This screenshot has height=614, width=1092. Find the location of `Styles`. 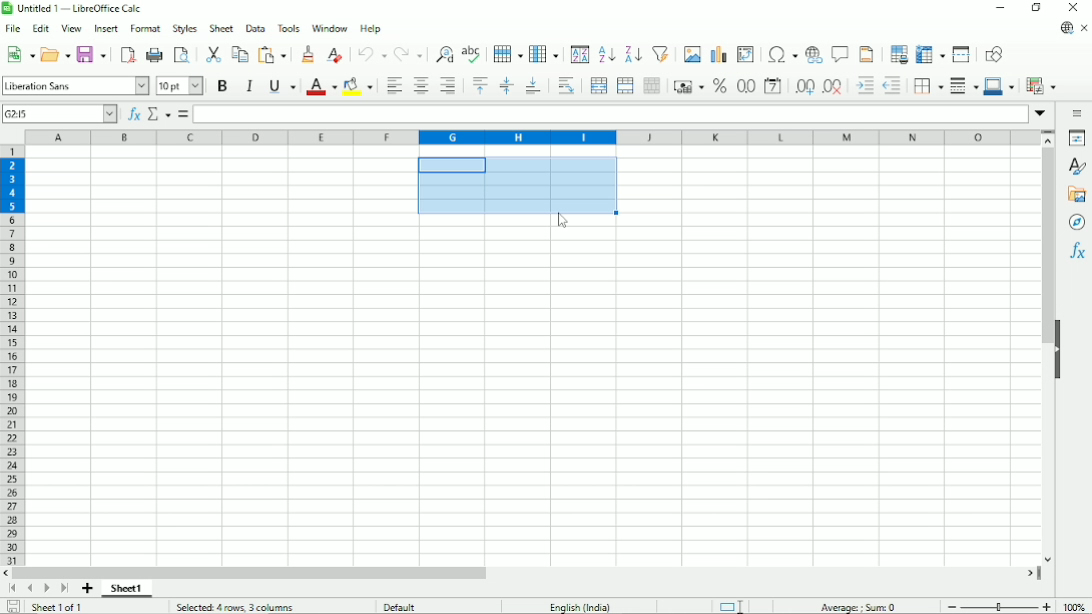

Styles is located at coordinates (1076, 167).